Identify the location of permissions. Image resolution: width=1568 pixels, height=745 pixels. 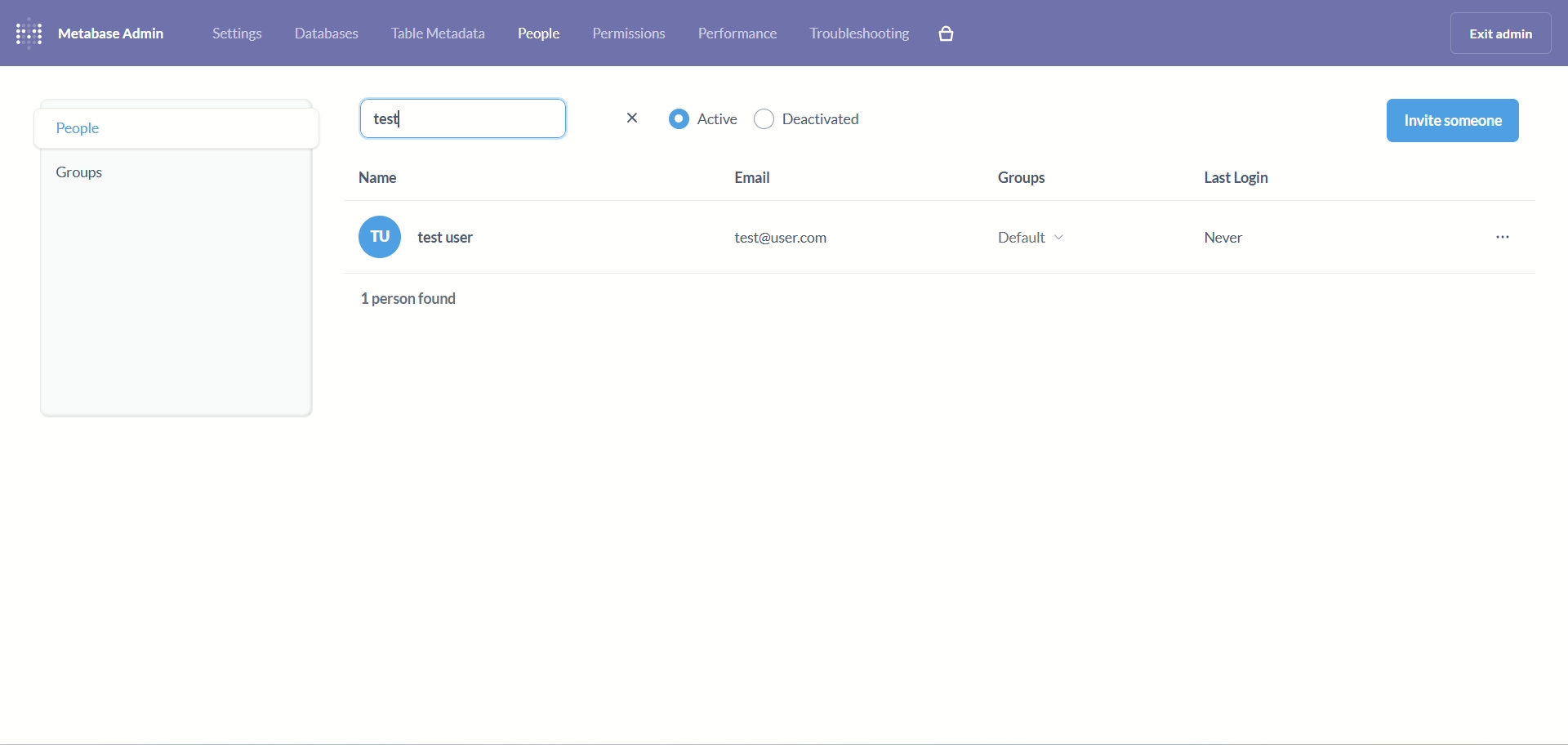
(631, 33).